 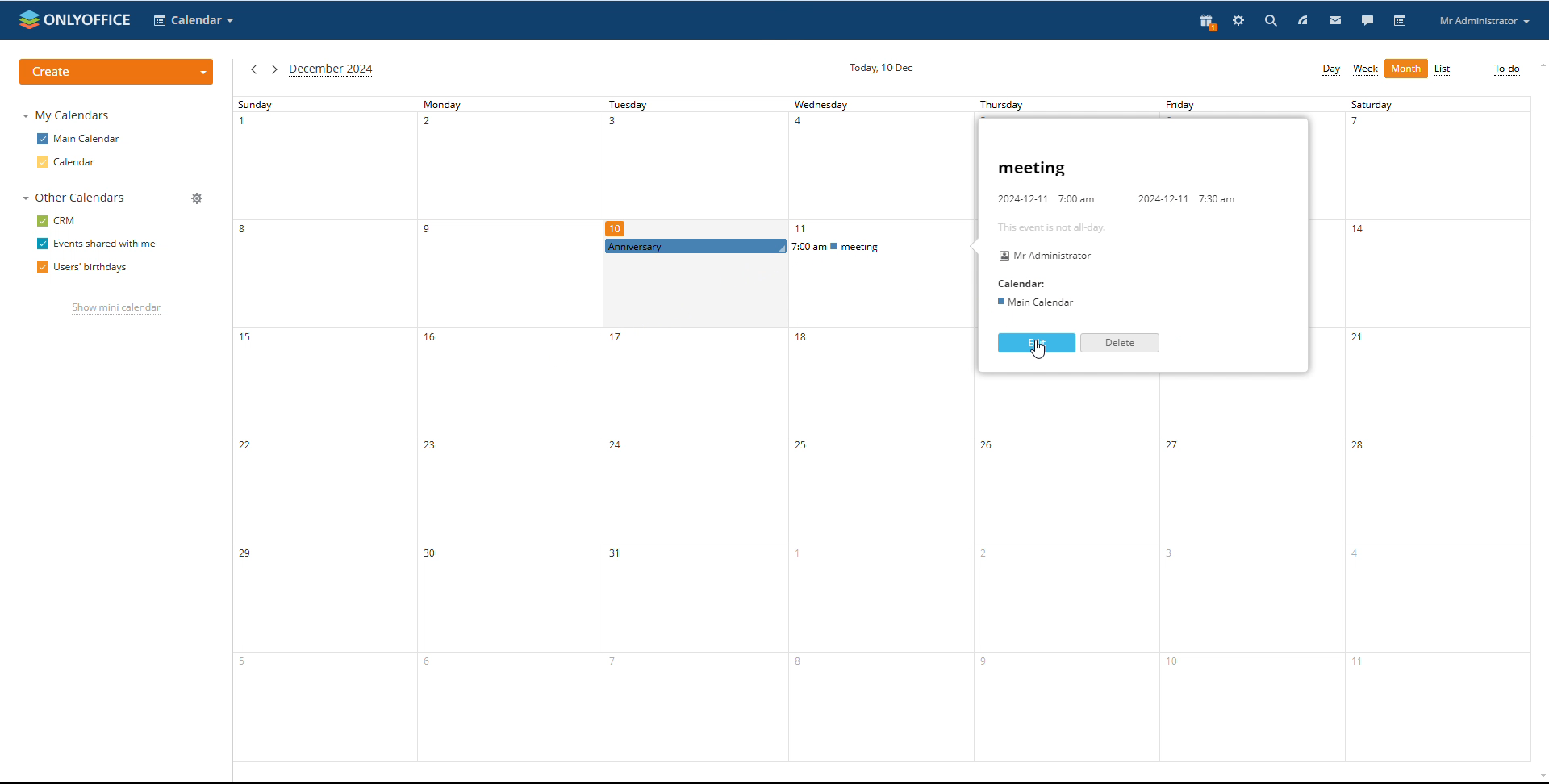 What do you see at coordinates (1244, 570) in the screenshot?
I see `friday` at bounding box center [1244, 570].